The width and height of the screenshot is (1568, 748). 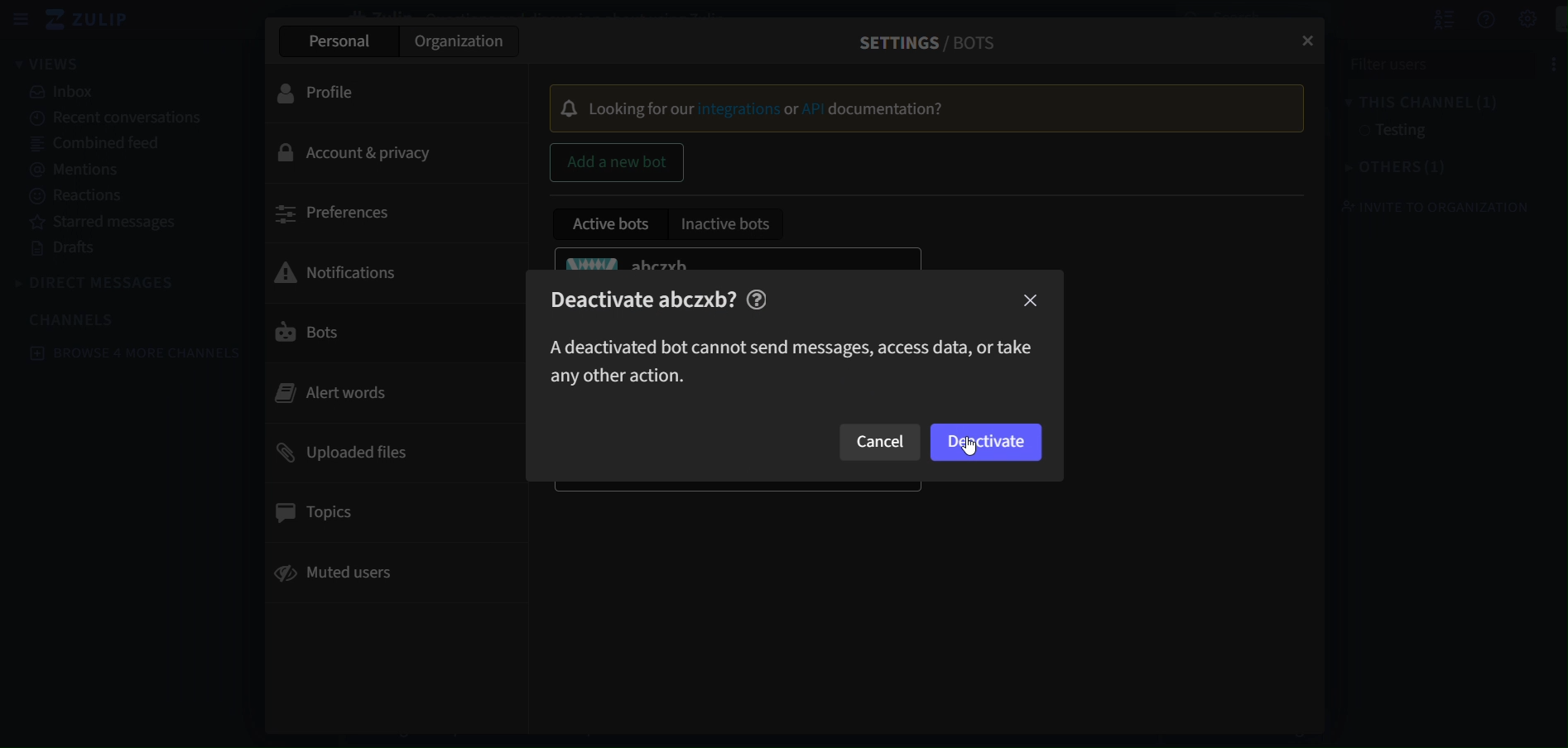 What do you see at coordinates (668, 296) in the screenshot?
I see `deactivate abczxb` at bounding box center [668, 296].